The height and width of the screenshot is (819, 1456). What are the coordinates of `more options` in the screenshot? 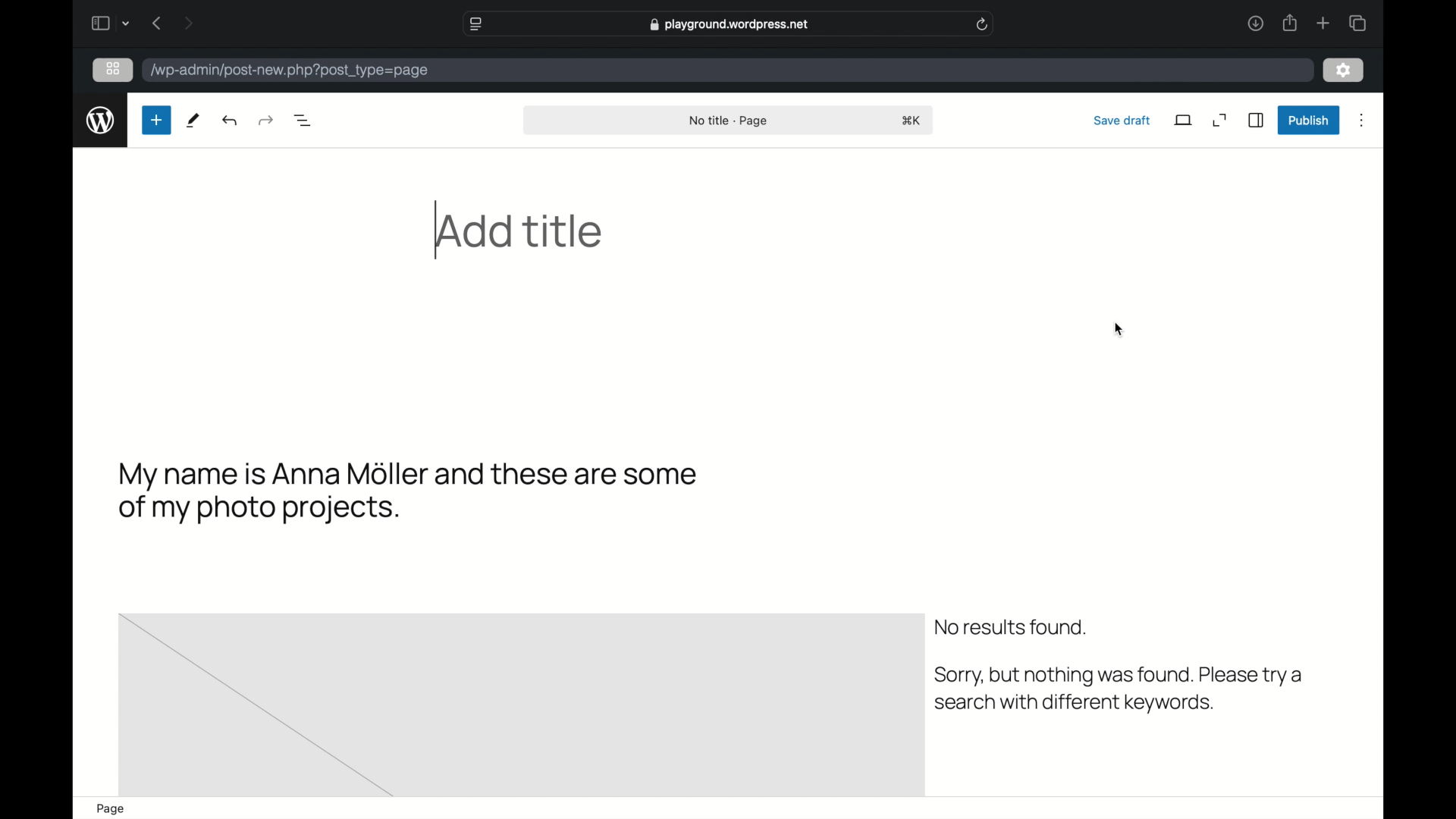 It's located at (1362, 121).